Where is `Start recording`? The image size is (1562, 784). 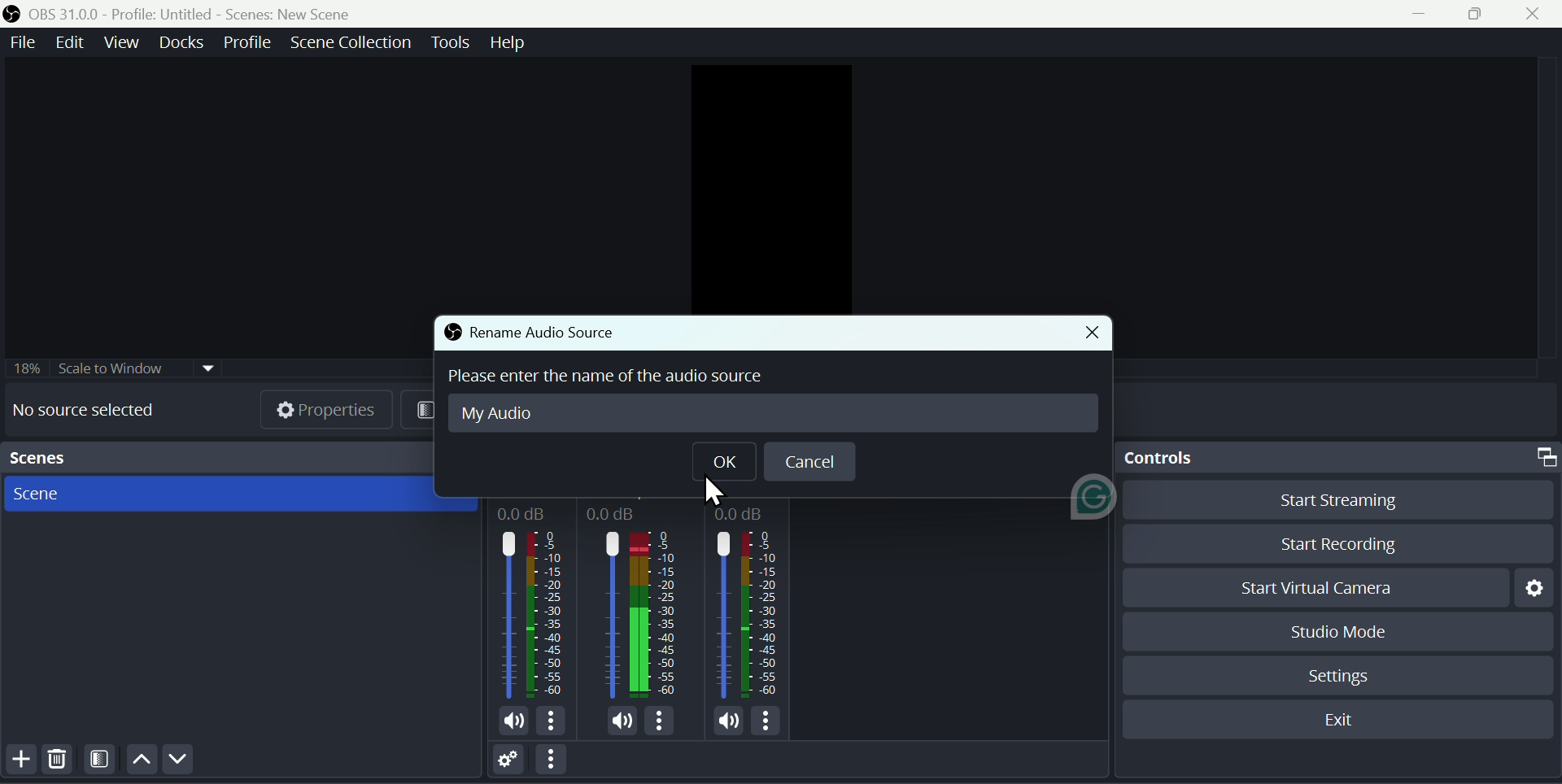 Start recording is located at coordinates (1328, 544).